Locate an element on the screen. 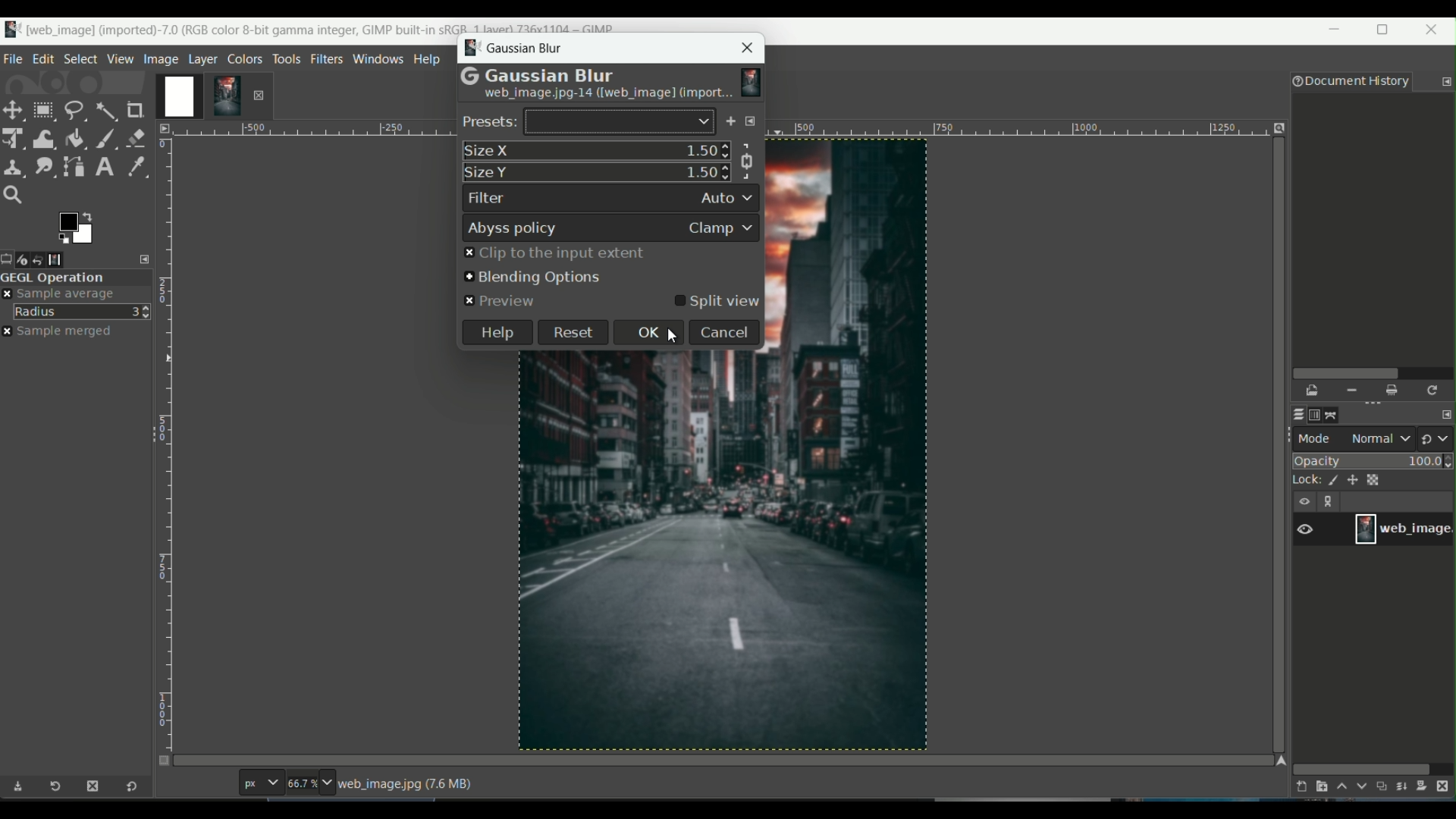 The height and width of the screenshot is (819, 1456). measurement scale is located at coordinates (260, 784).